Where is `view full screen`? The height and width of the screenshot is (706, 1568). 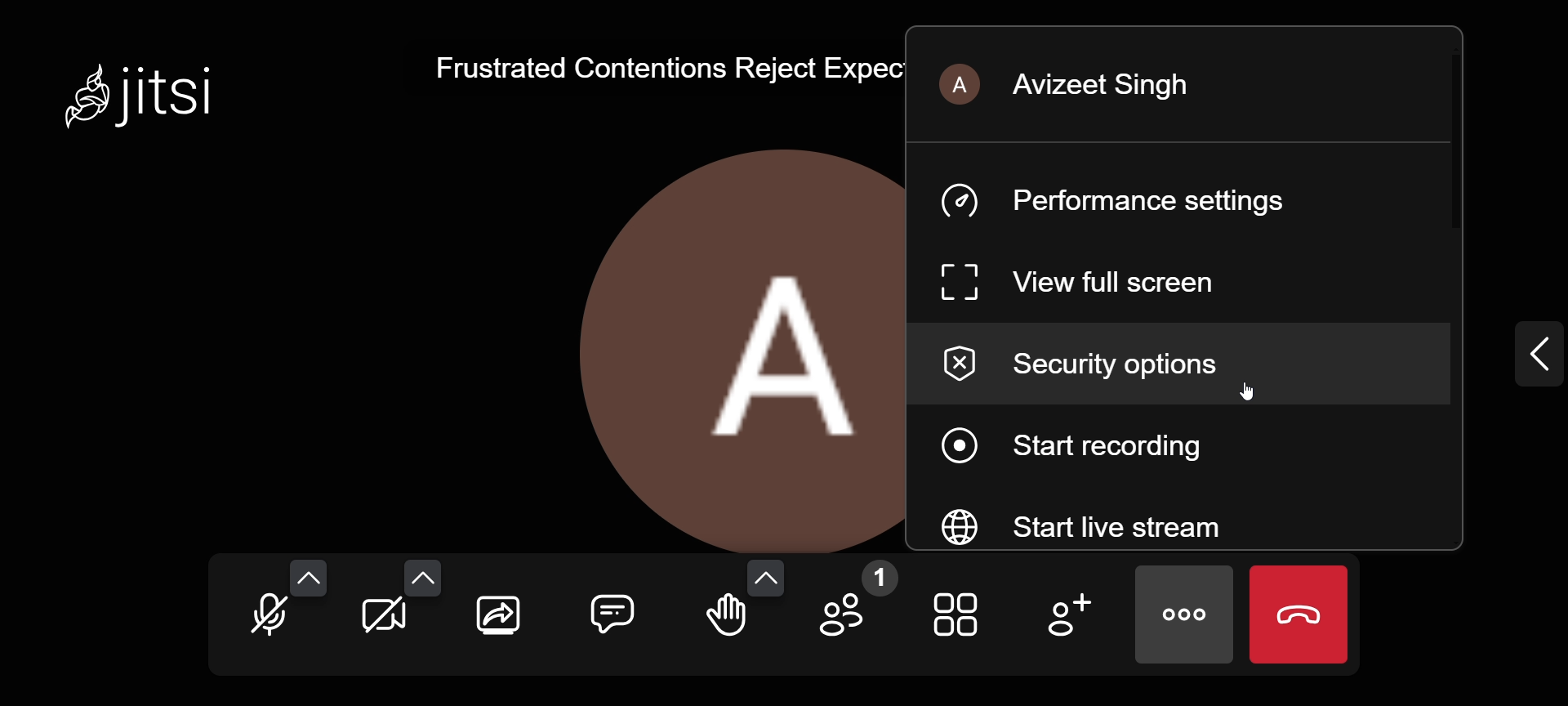 view full screen is located at coordinates (1083, 285).